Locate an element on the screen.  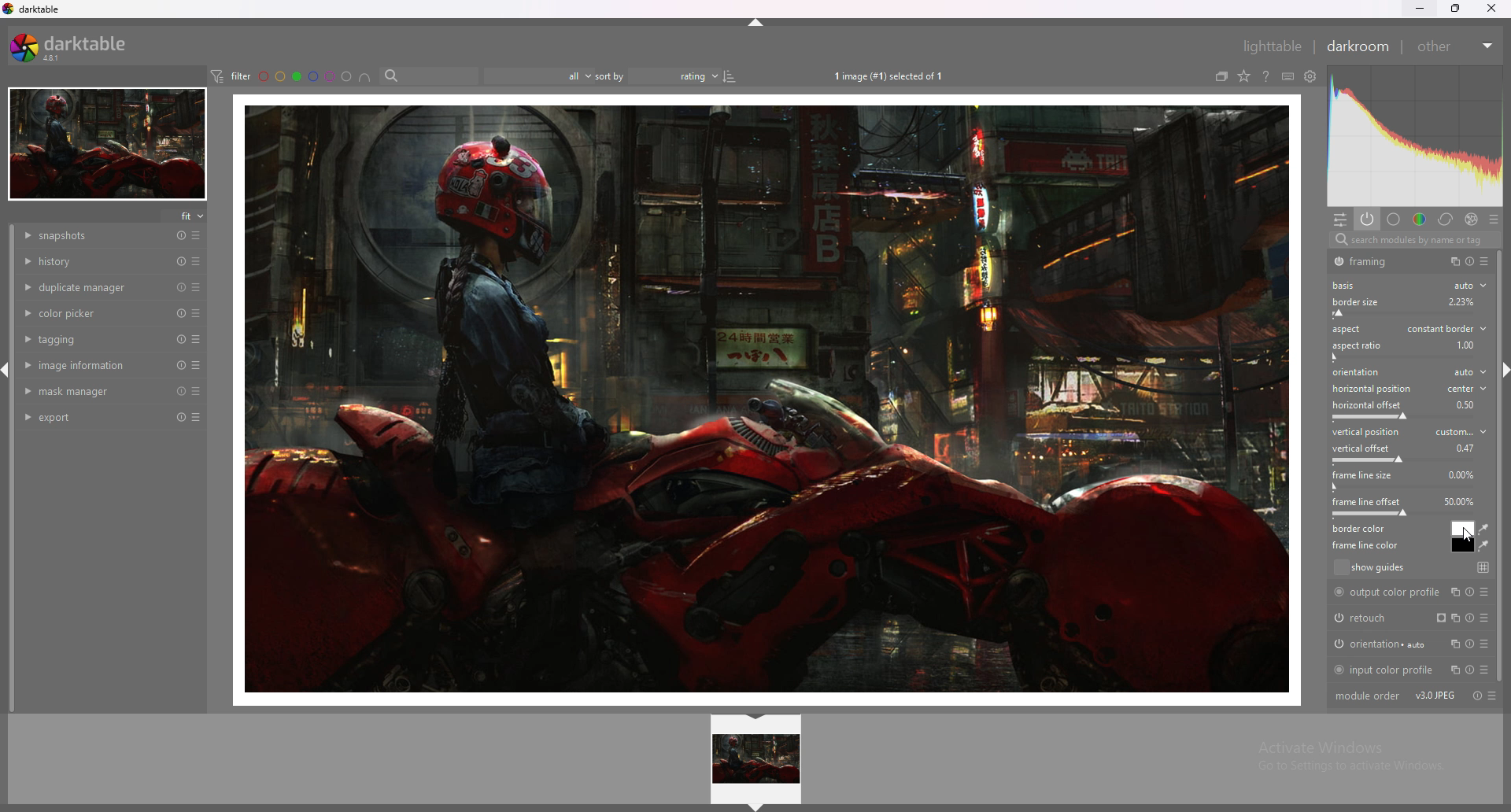
presets is located at coordinates (1492, 217).